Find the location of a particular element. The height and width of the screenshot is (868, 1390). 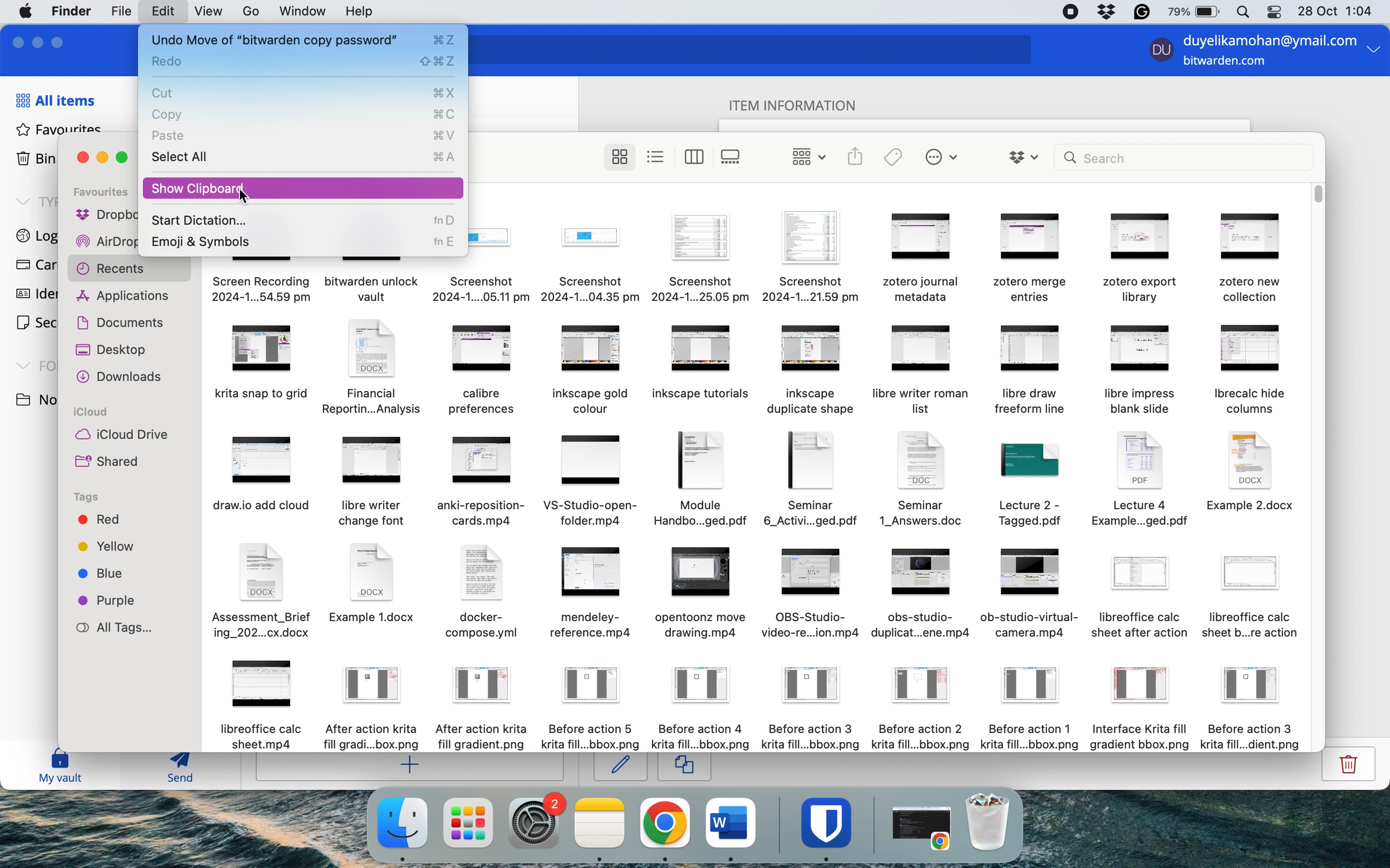

search bar is located at coordinates (1184, 157).